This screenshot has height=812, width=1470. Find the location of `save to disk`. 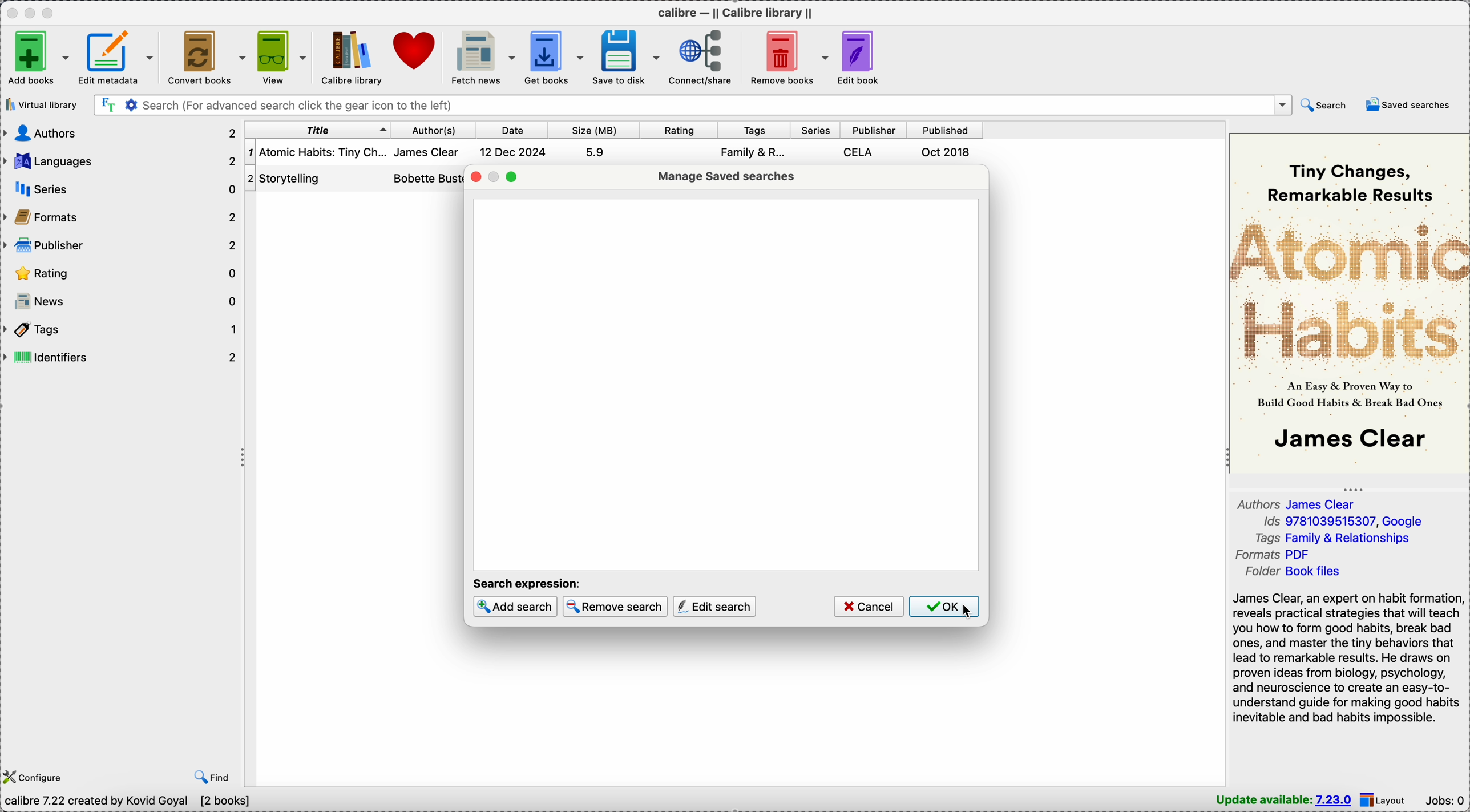

save to disk is located at coordinates (627, 58).